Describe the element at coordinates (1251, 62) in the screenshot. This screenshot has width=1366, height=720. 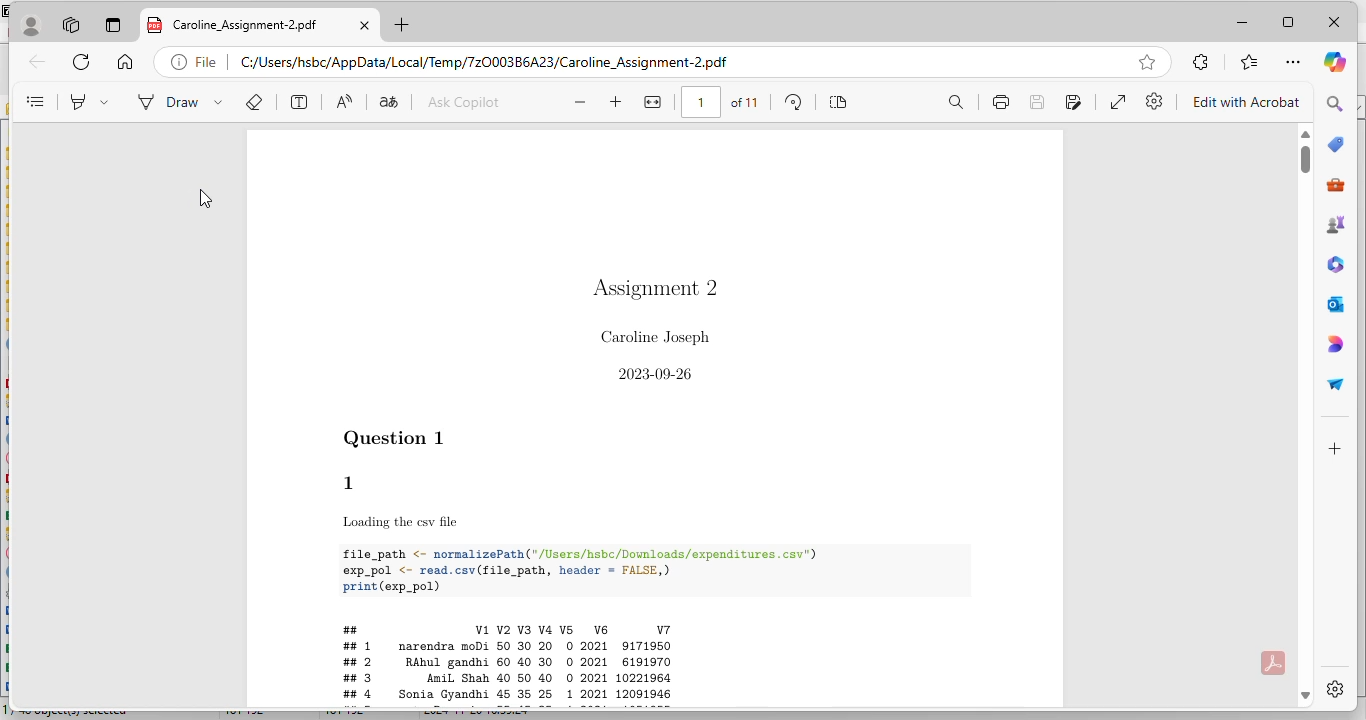
I see `favorites` at that location.